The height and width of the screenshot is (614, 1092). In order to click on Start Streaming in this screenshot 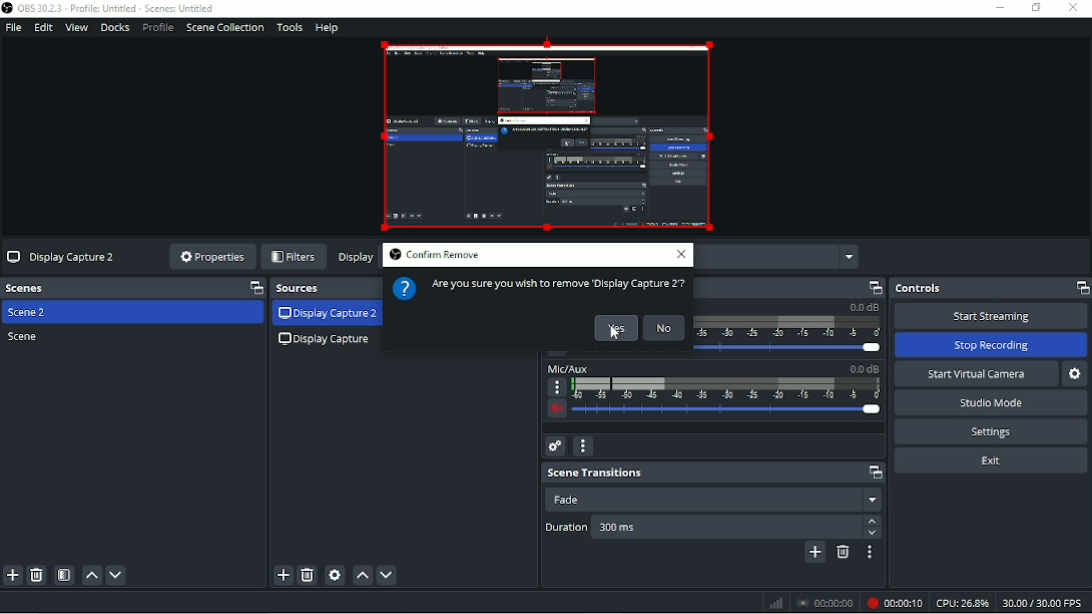, I will do `click(992, 315)`.